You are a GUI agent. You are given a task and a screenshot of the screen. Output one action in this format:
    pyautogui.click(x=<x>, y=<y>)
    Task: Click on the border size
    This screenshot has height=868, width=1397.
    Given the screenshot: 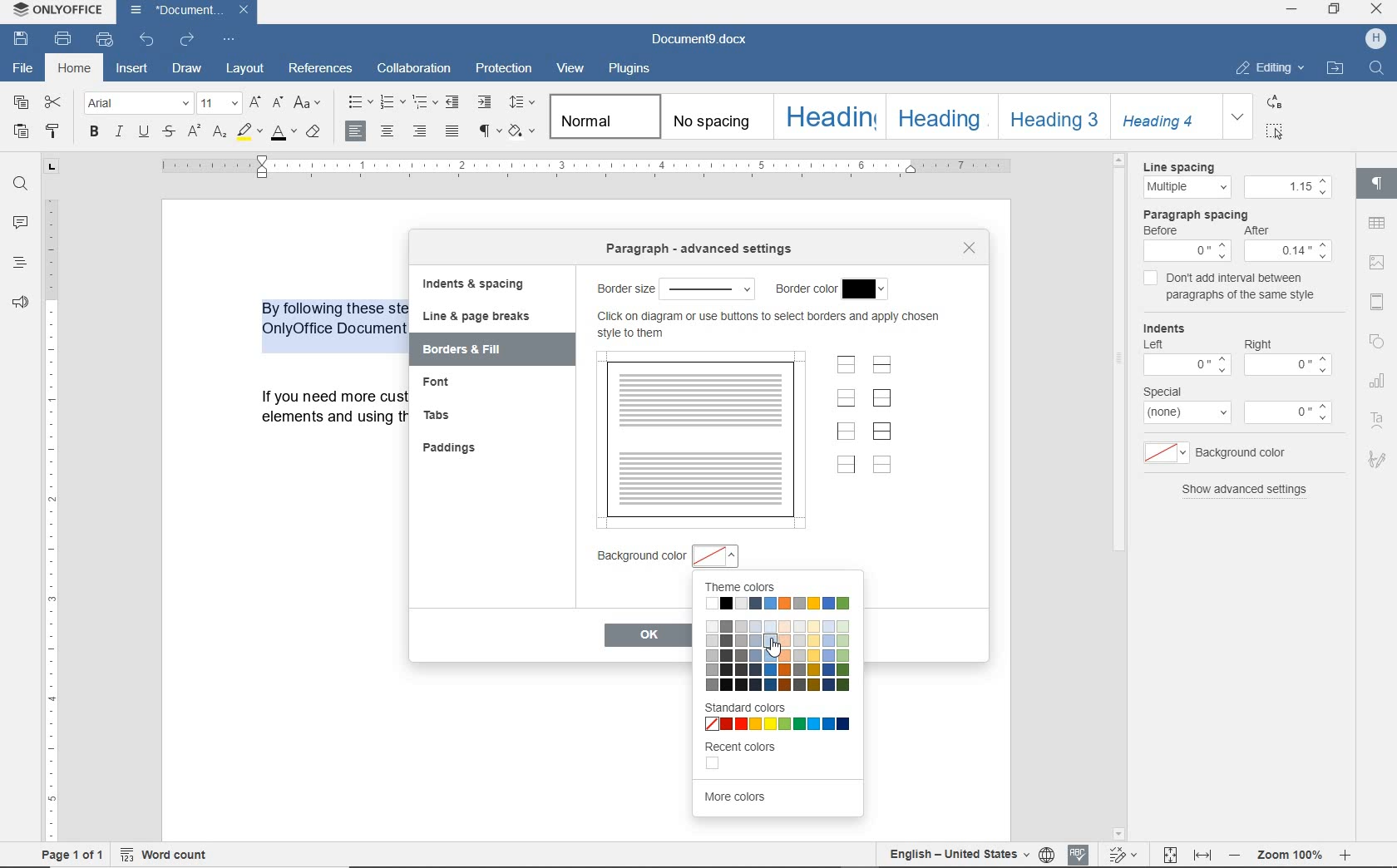 What is the action you would take?
    pyautogui.click(x=624, y=289)
    